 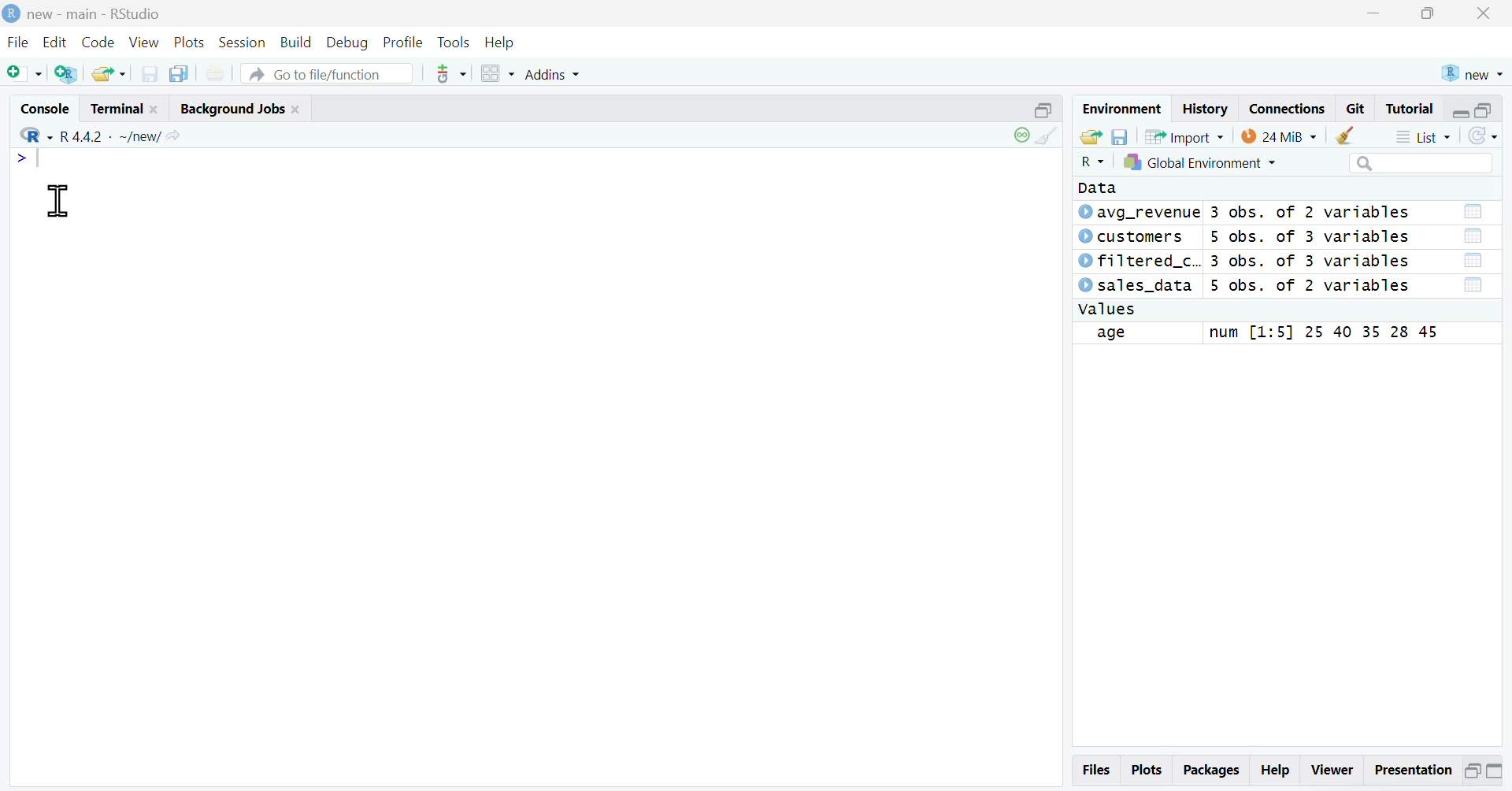 What do you see at coordinates (495, 74) in the screenshot?
I see `Workspace panes` at bounding box center [495, 74].